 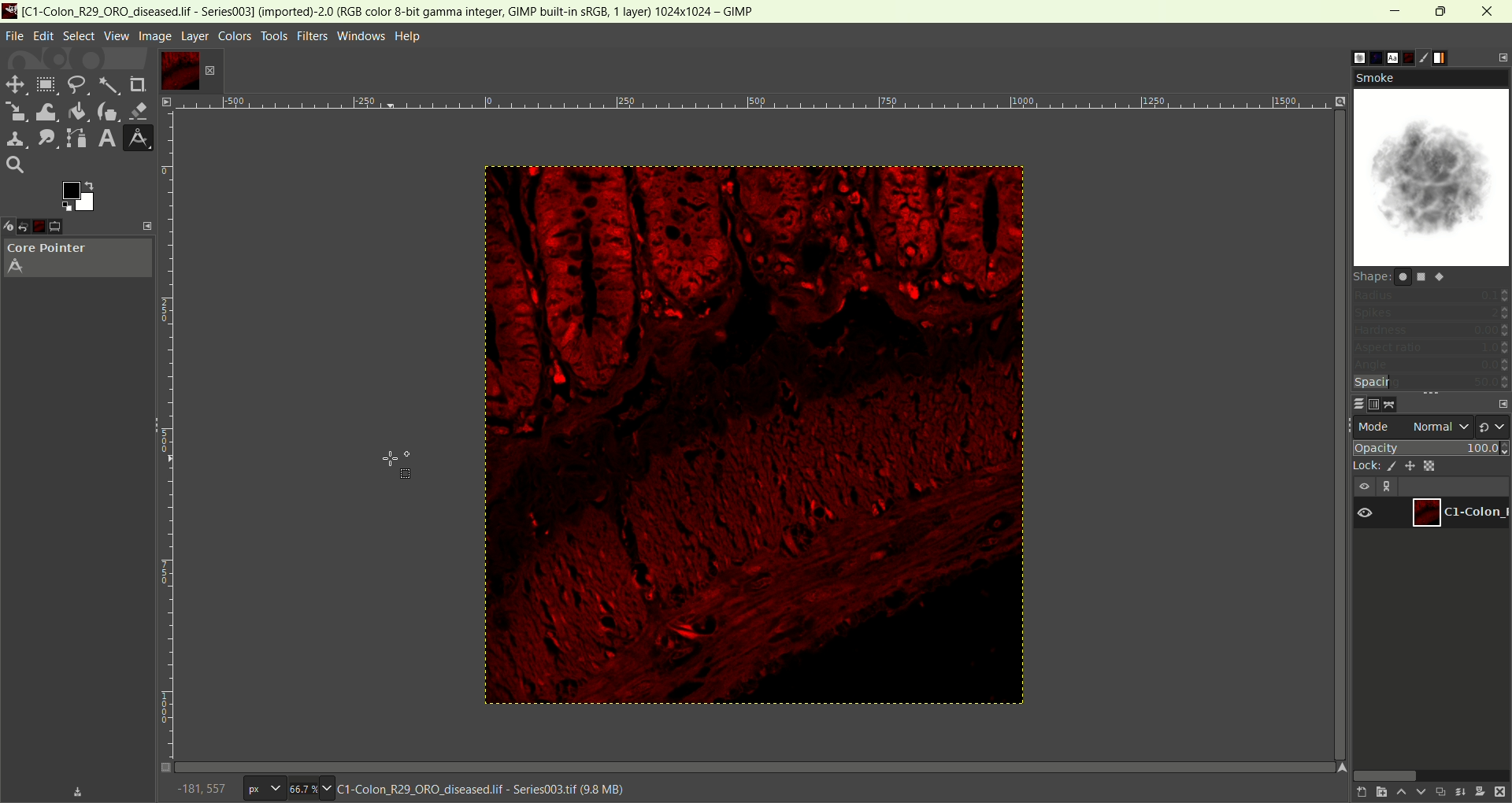 What do you see at coordinates (1480, 793) in the screenshot?
I see `mask layer` at bounding box center [1480, 793].